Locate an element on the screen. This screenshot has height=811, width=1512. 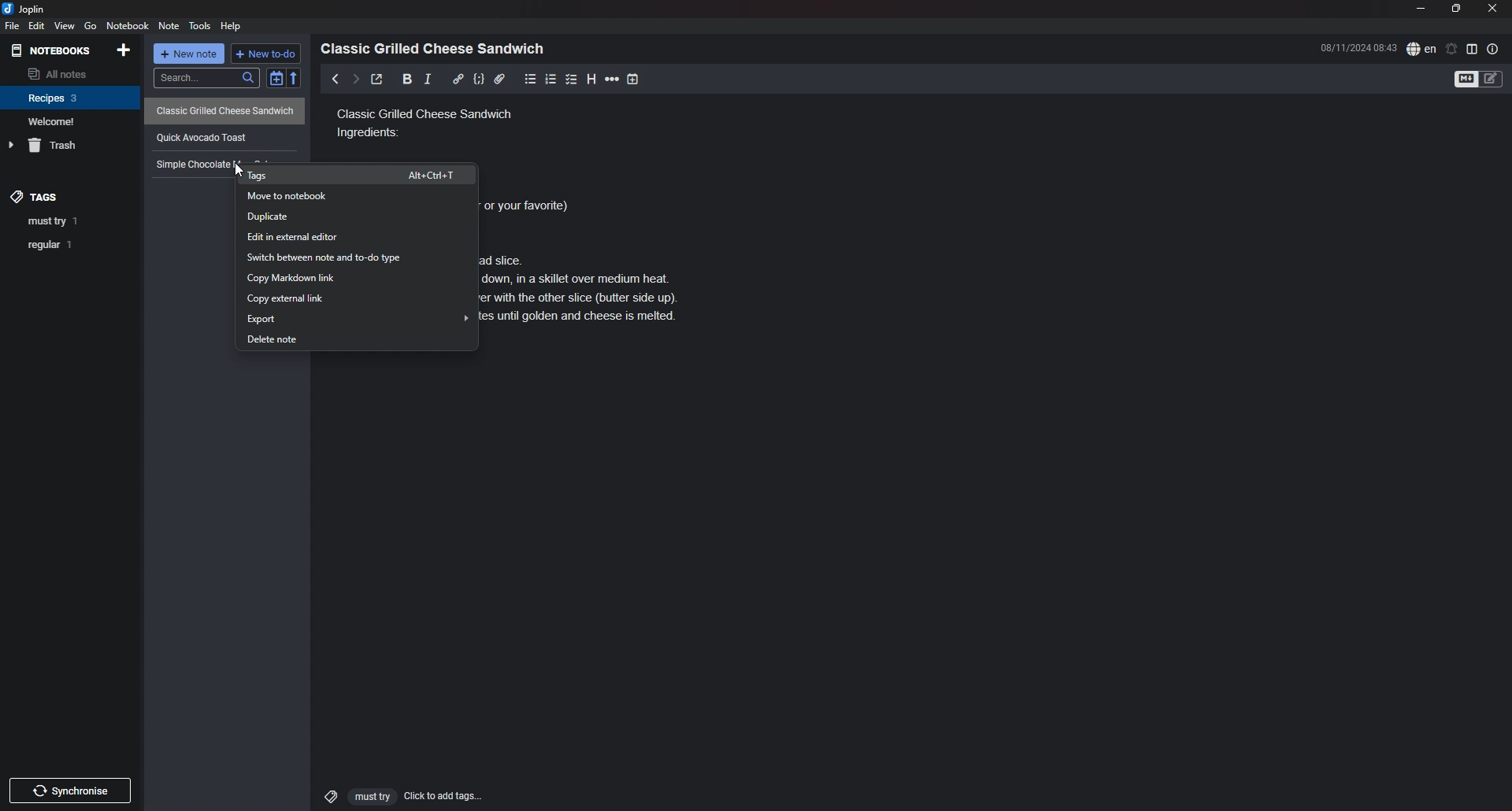
Copy external link is located at coordinates (357, 298).